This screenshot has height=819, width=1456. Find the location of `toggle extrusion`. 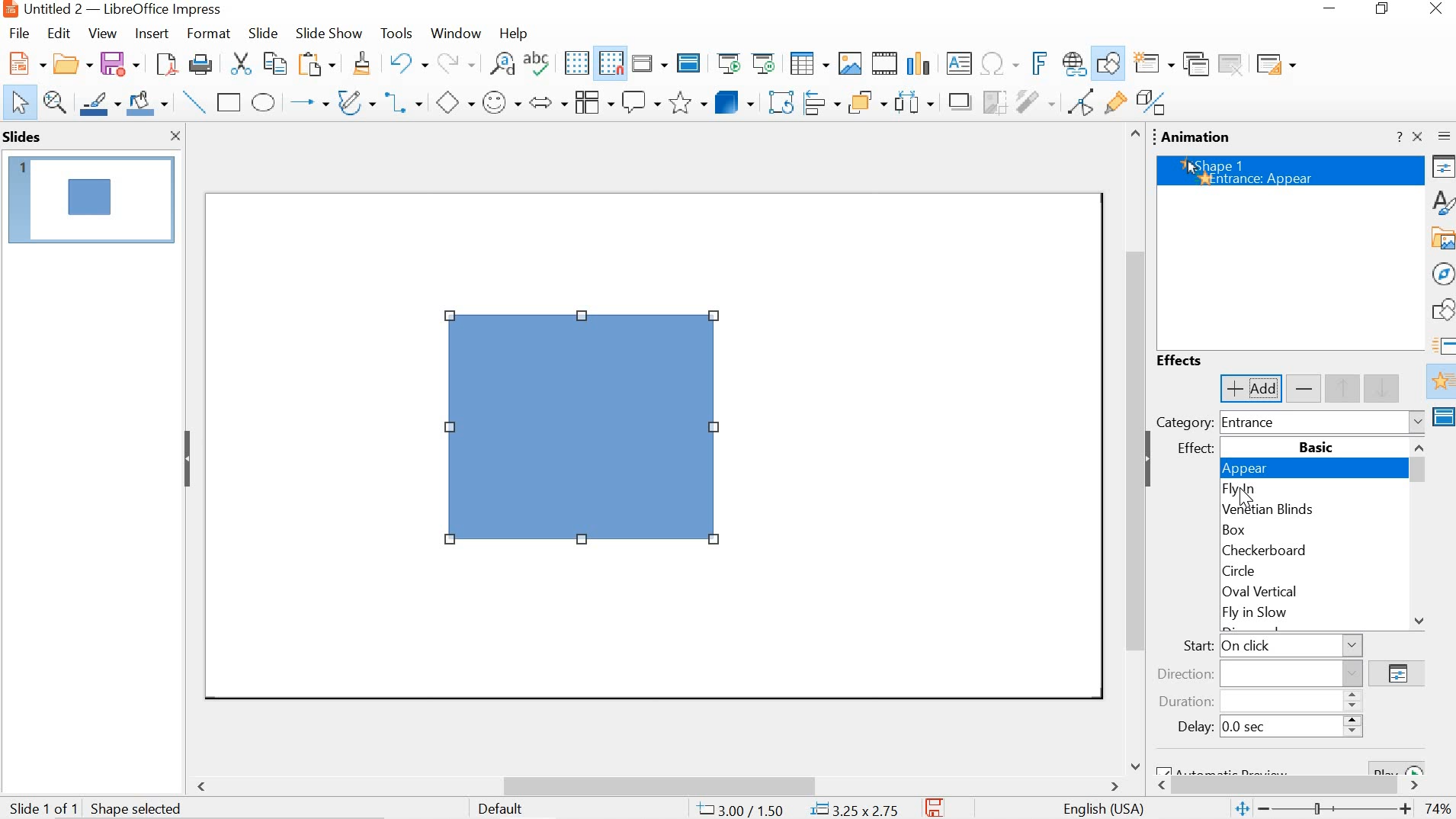

toggle extrusion is located at coordinates (1153, 103).